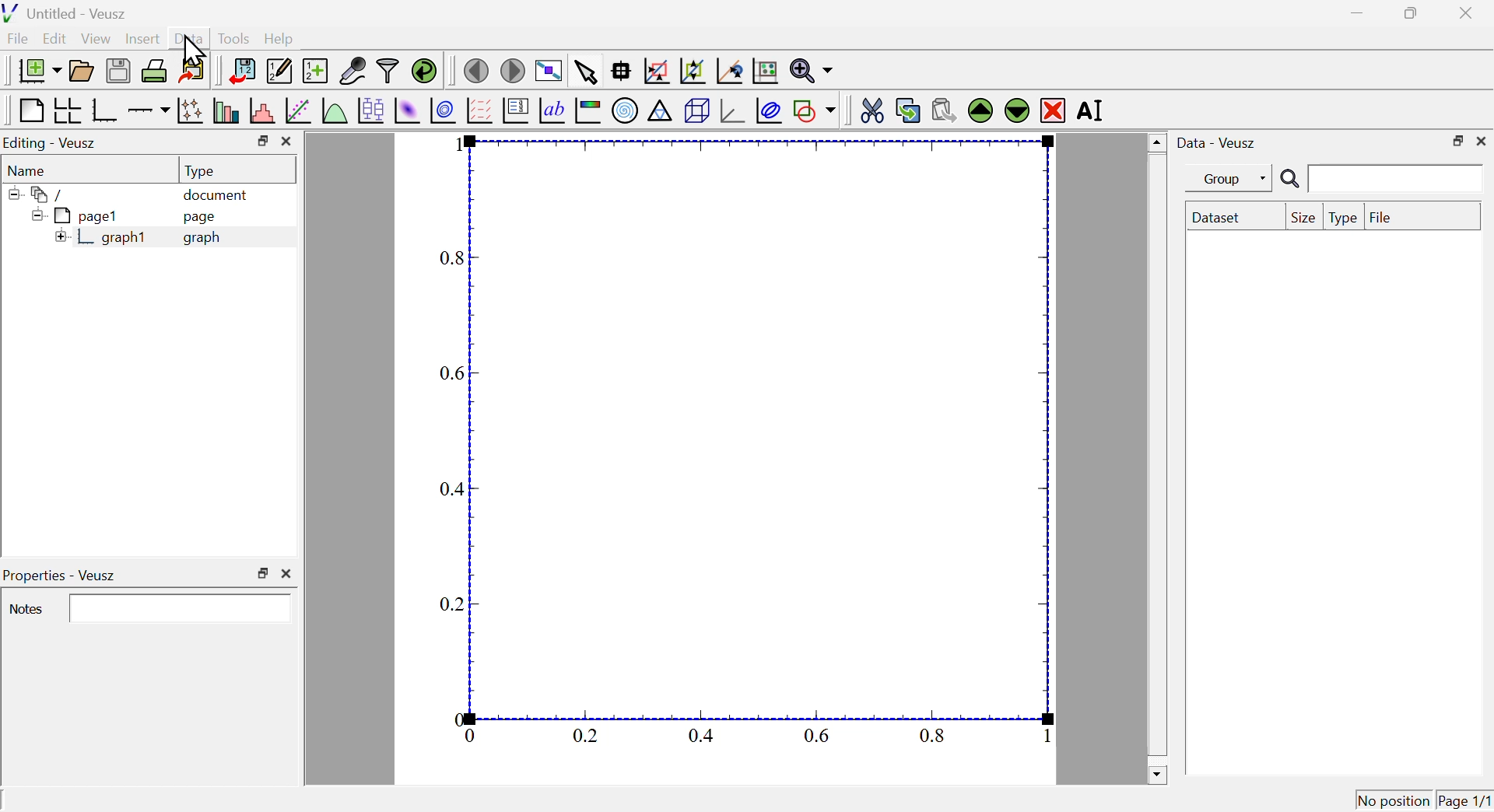 Image resolution: width=1494 pixels, height=812 pixels. I want to click on close, so click(290, 572).